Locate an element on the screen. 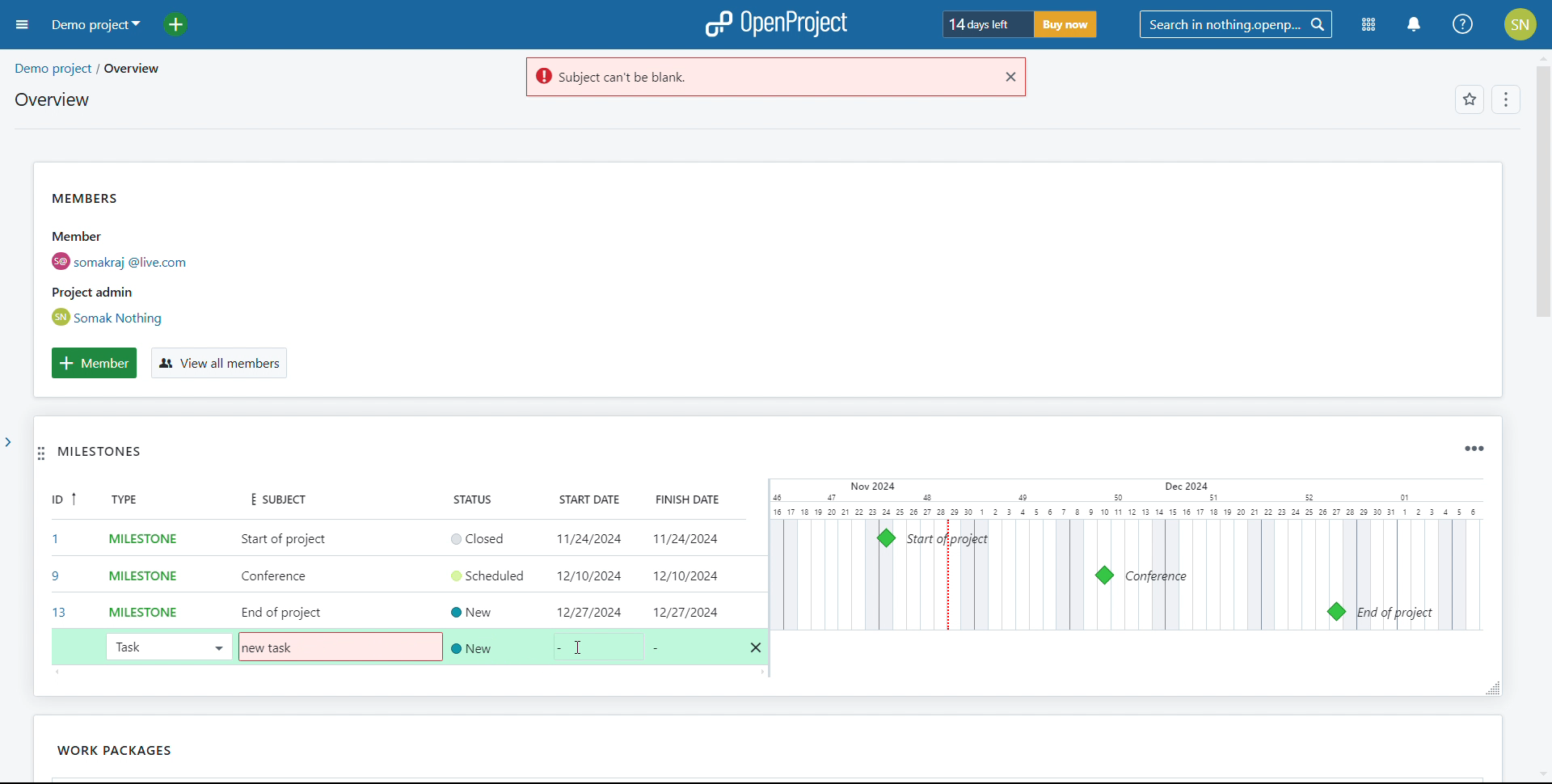  work packages is located at coordinates (77, 750).